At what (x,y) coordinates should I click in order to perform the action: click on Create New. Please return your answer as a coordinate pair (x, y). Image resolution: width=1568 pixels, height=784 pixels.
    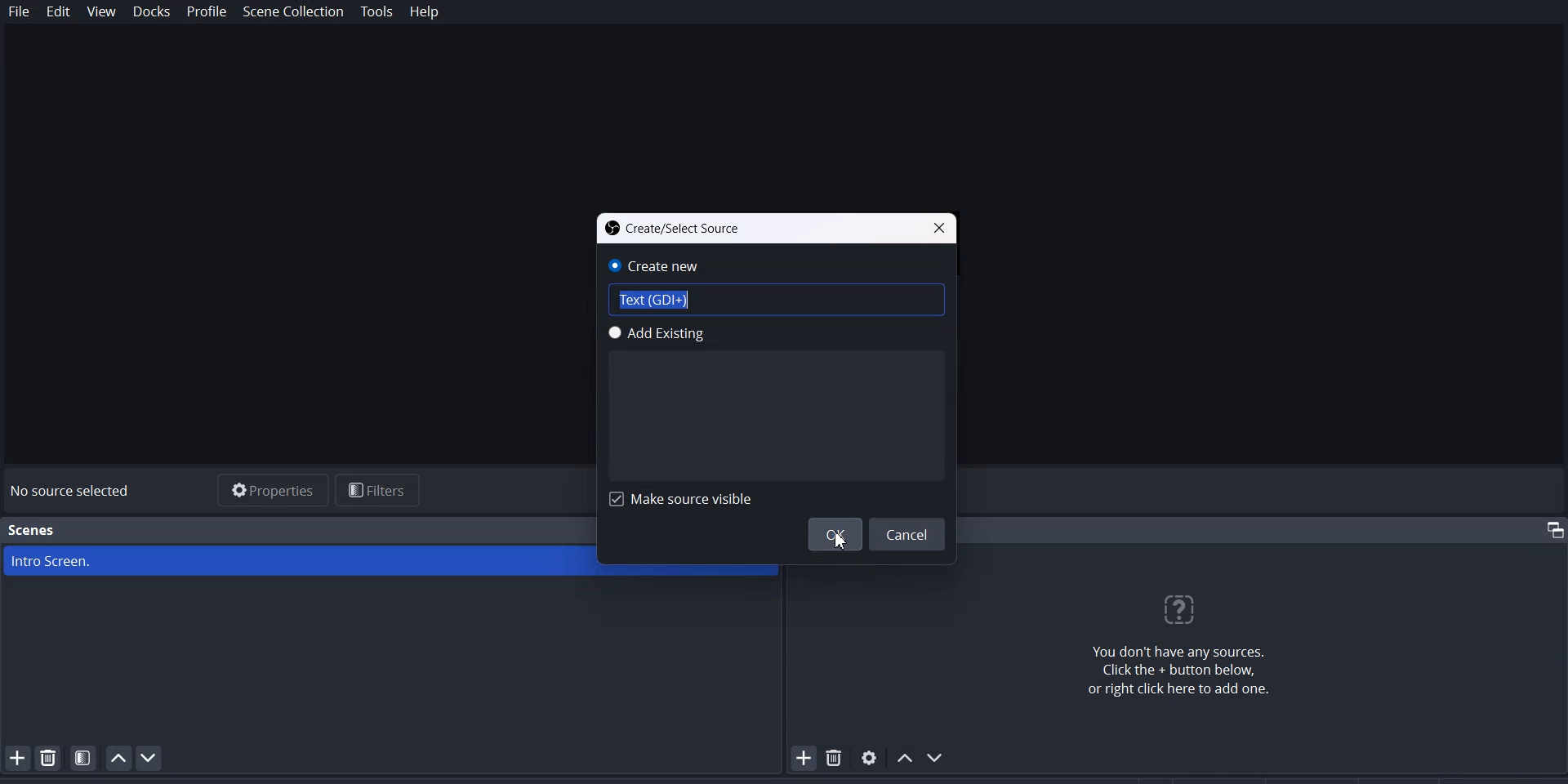
    Looking at the image, I should click on (777, 267).